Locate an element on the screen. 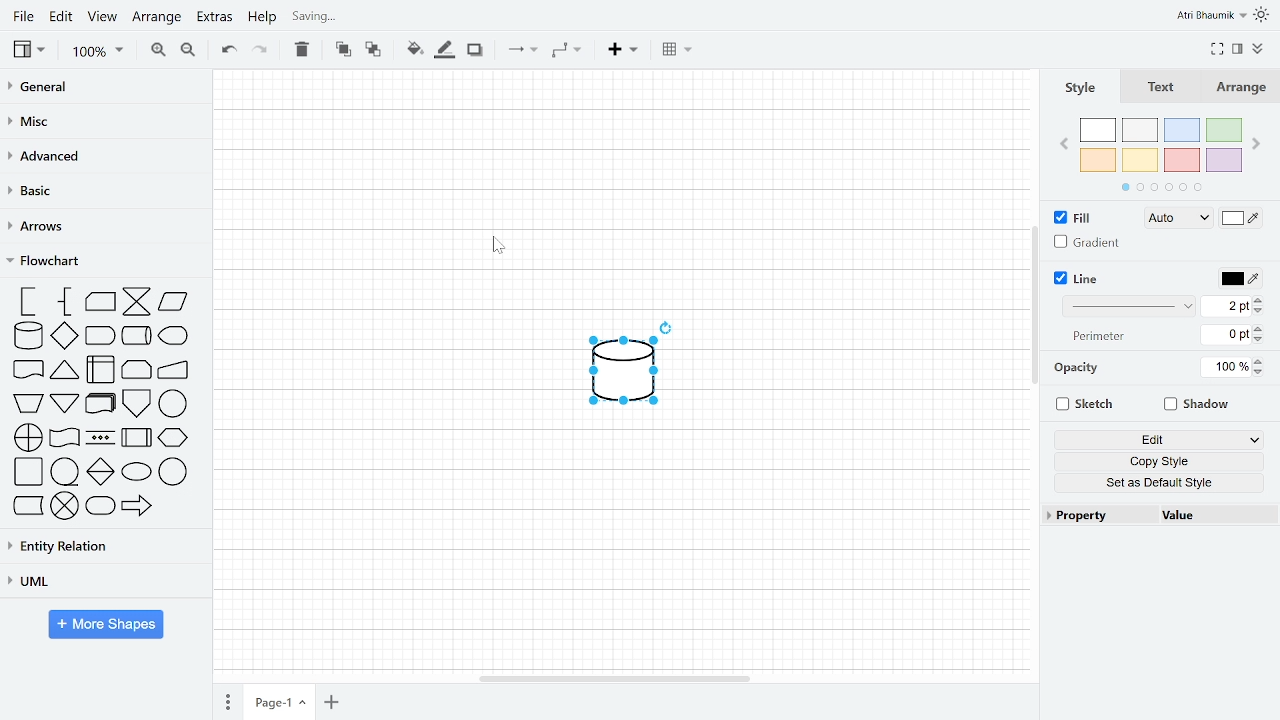 The image size is (1280, 720). previous page in colors is located at coordinates (1064, 145).